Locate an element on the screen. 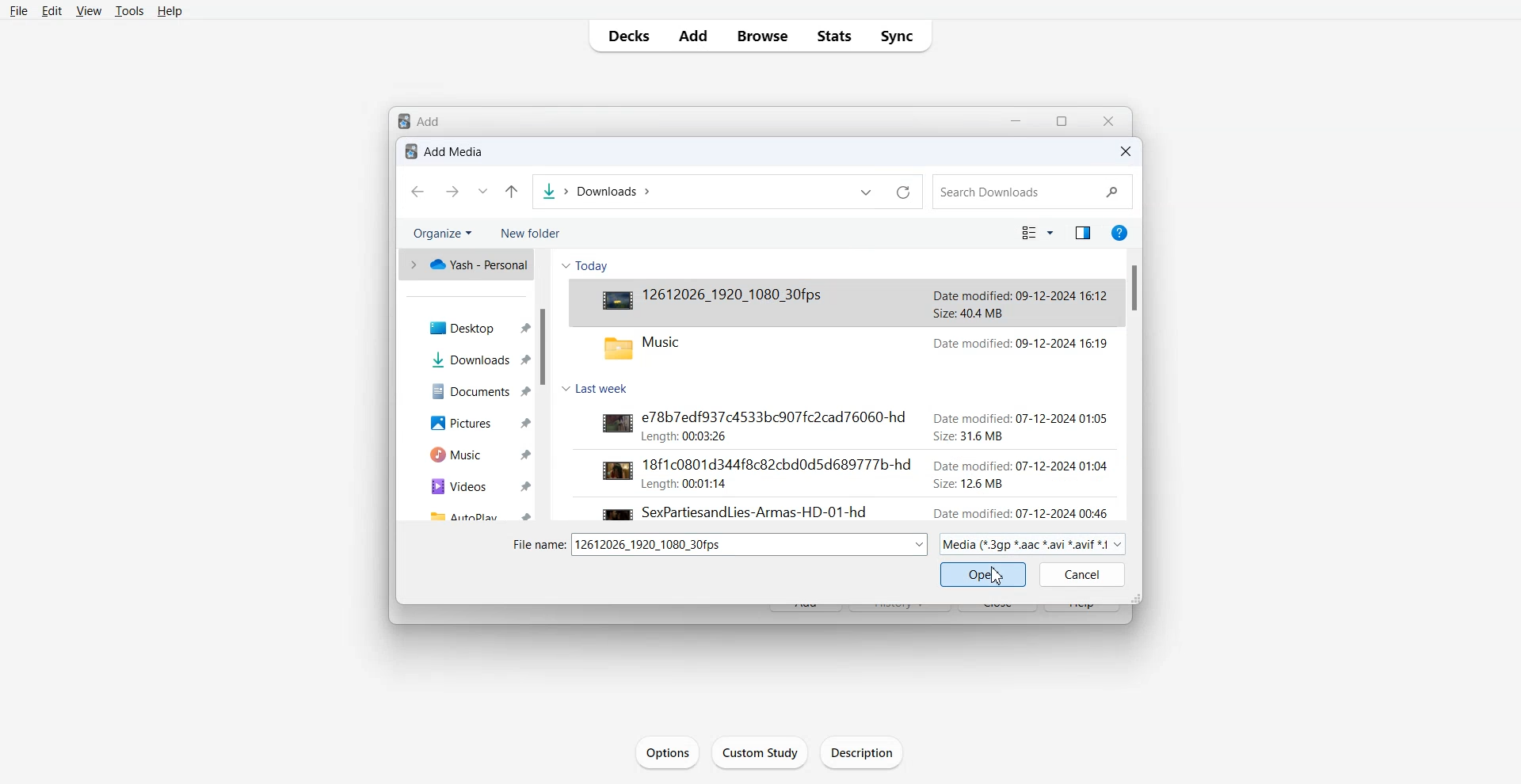  Pictures is located at coordinates (473, 424).